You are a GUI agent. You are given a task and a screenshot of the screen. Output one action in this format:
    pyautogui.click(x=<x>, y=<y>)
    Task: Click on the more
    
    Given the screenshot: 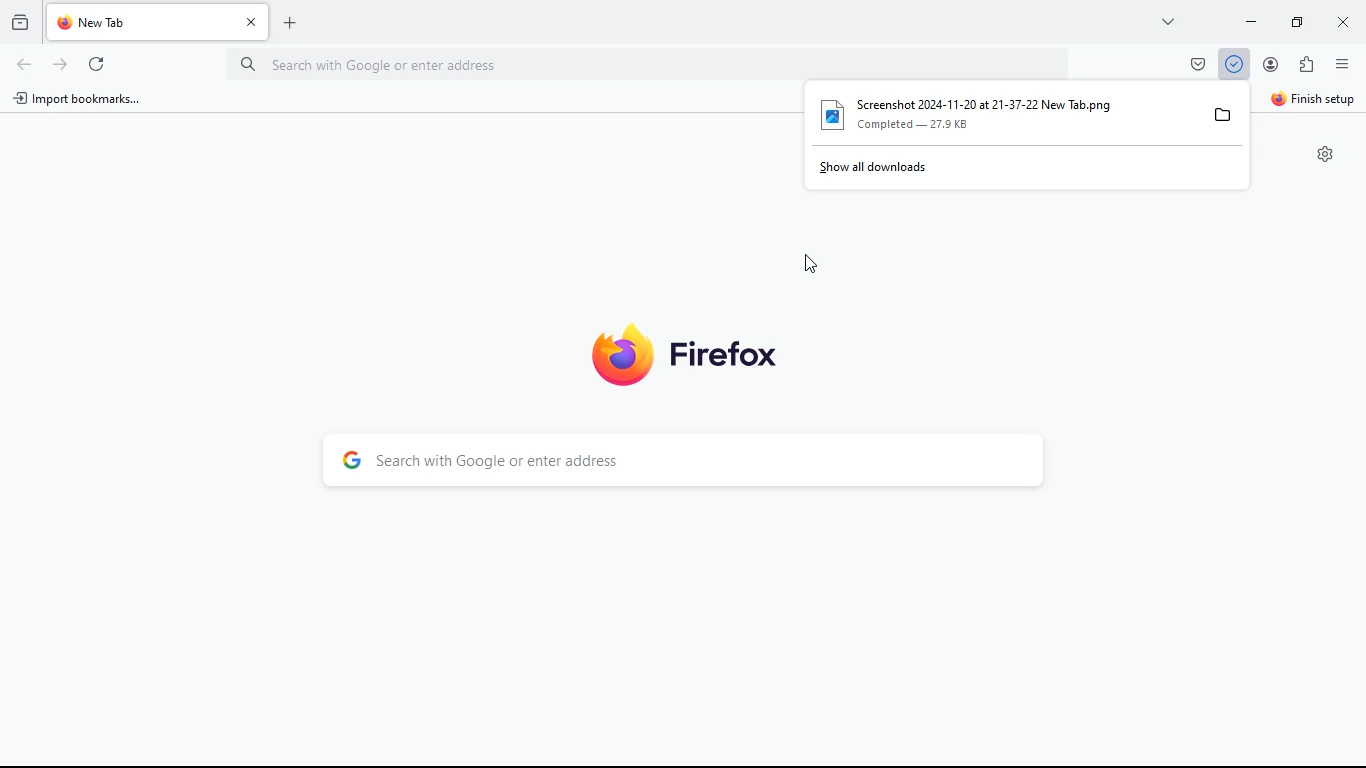 What is the action you would take?
    pyautogui.click(x=1169, y=21)
    